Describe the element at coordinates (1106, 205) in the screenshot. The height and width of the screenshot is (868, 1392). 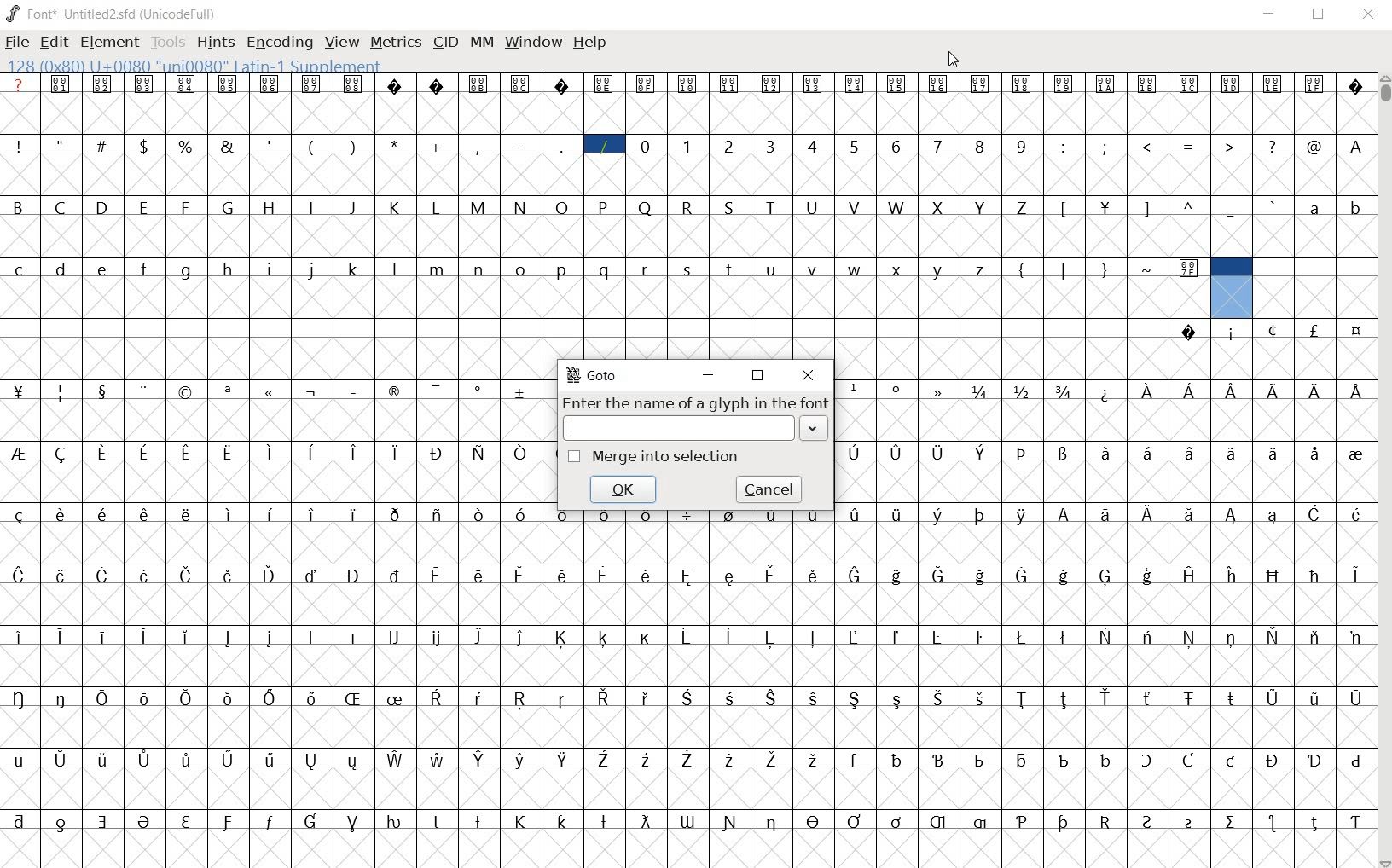
I see `Symbol` at that location.